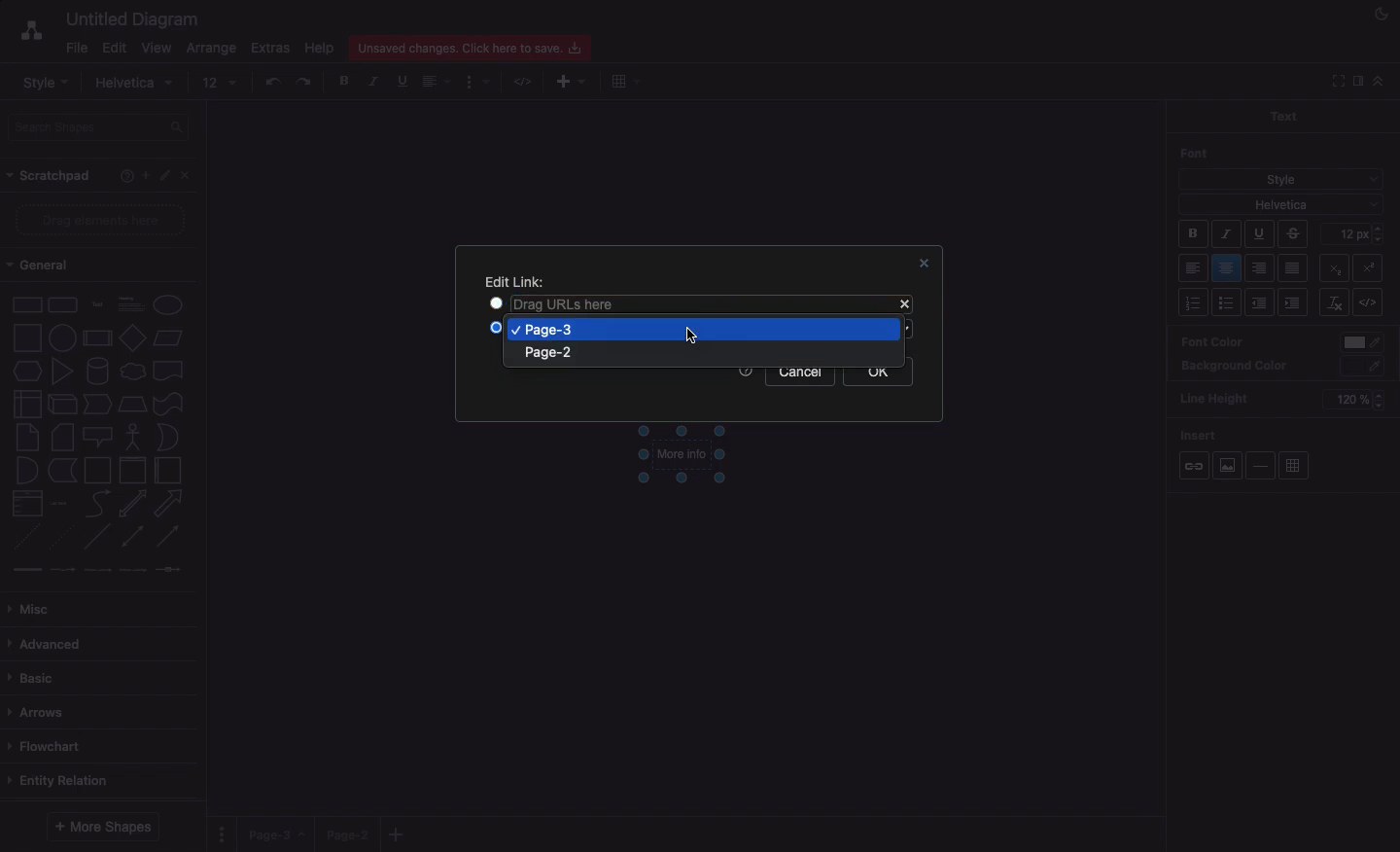  Describe the element at coordinates (98, 438) in the screenshot. I see `callout` at that location.